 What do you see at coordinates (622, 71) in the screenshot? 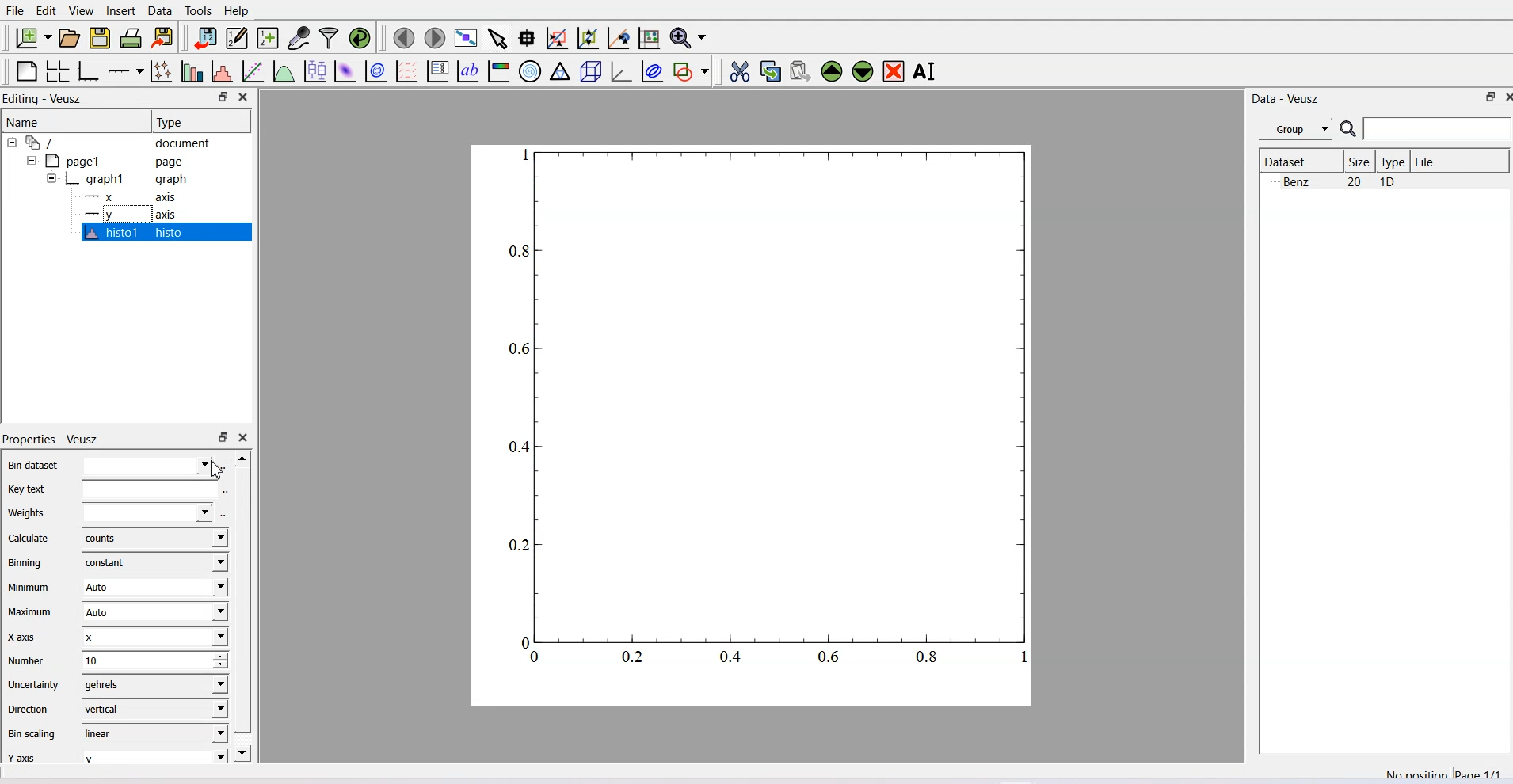
I see `3D Graph` at bounding box center [622, 71].